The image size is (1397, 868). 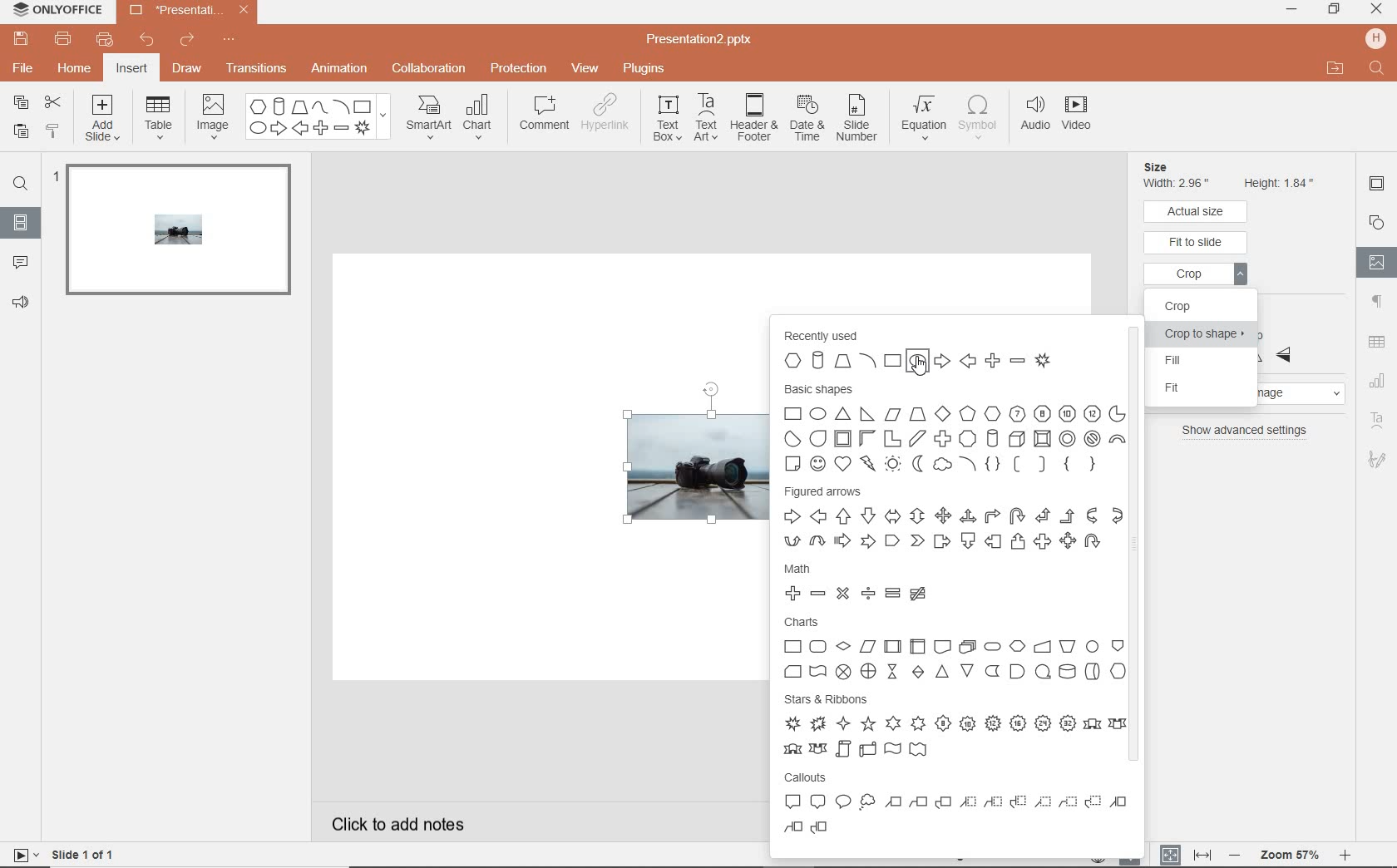 I want to click on fit to slide, so click(x=1197, y=243).